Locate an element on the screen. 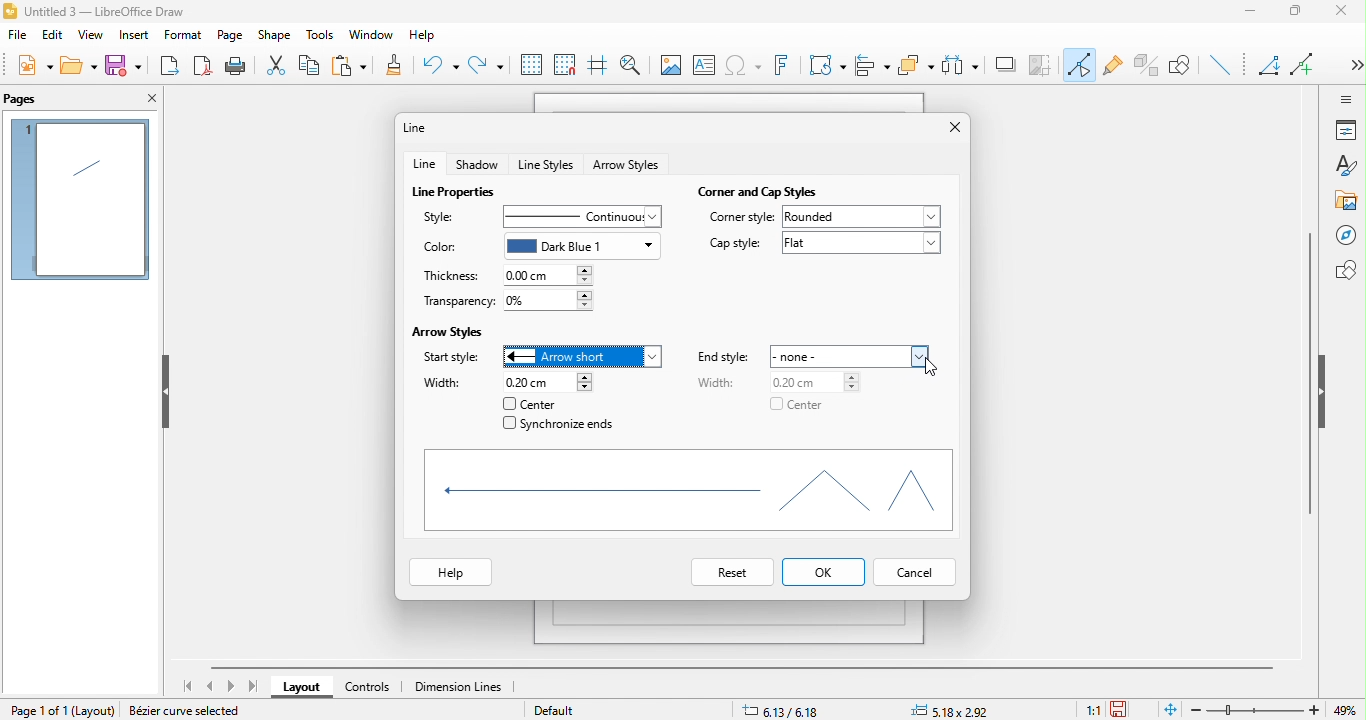 This screenshot has width=1366, height=720. last page is located at coordinates (252, 686).